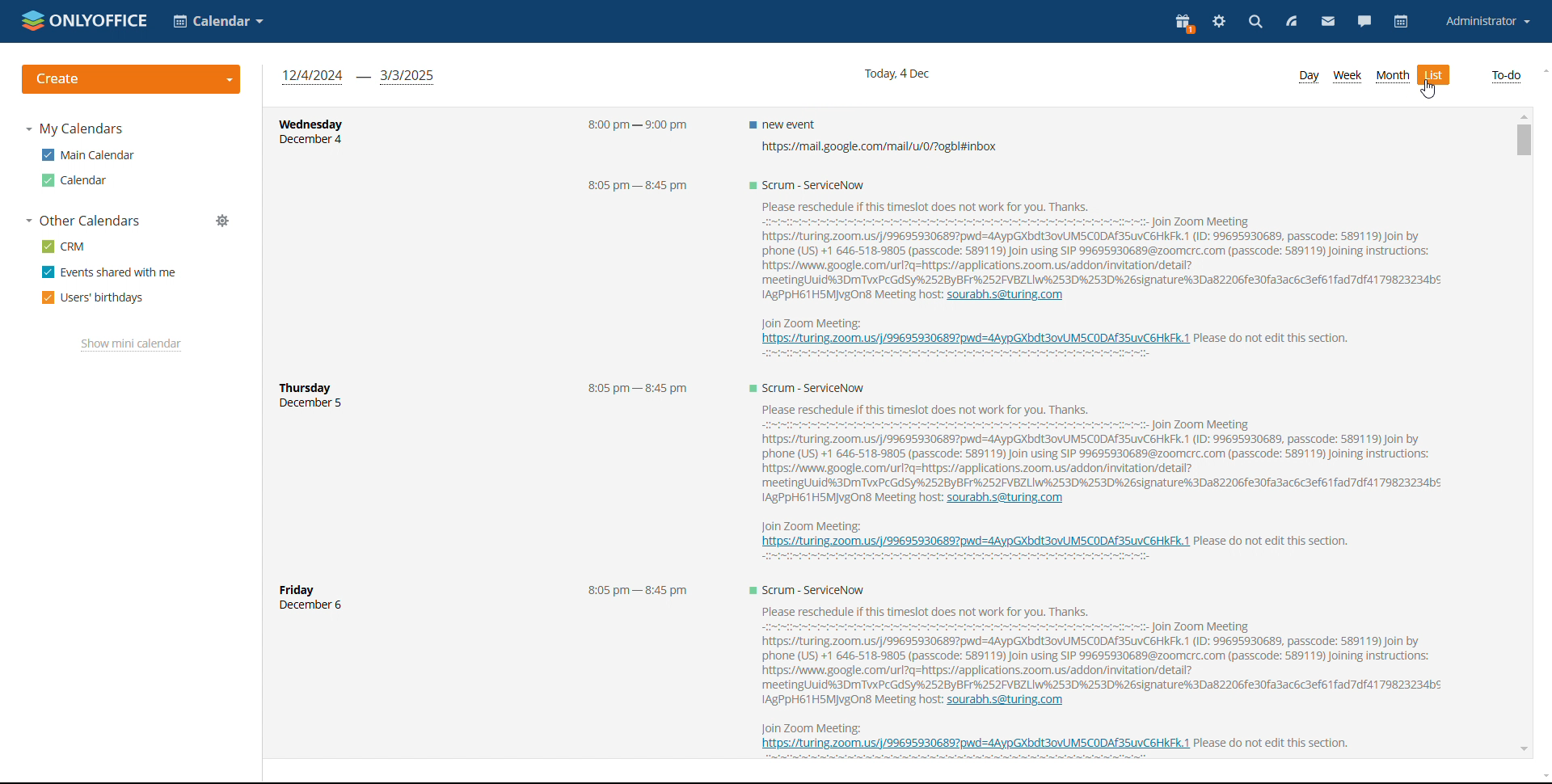  What do you see at coordinates (1518, 356) in the screenshot?
I see `scrollbar` at bounding box center [1518, 356].